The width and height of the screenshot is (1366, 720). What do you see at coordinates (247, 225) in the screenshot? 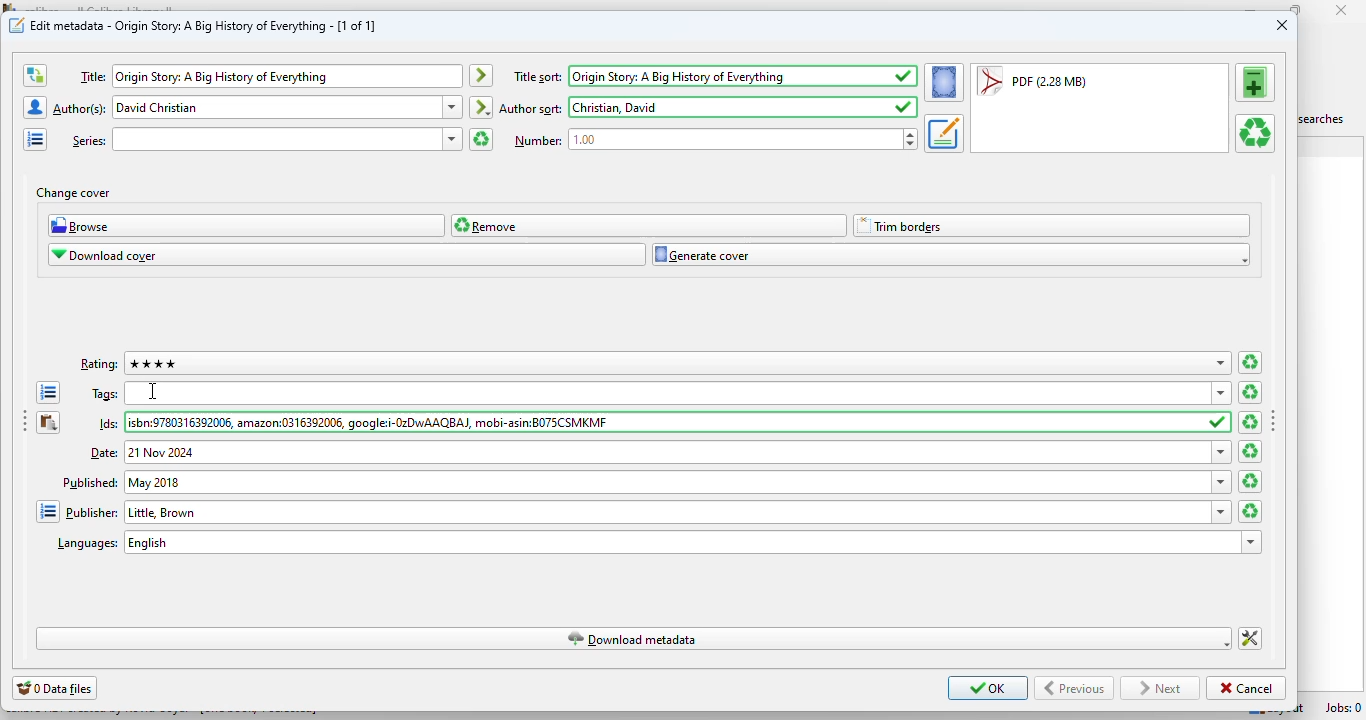
I see `browse` at bounding box center [247, 225].